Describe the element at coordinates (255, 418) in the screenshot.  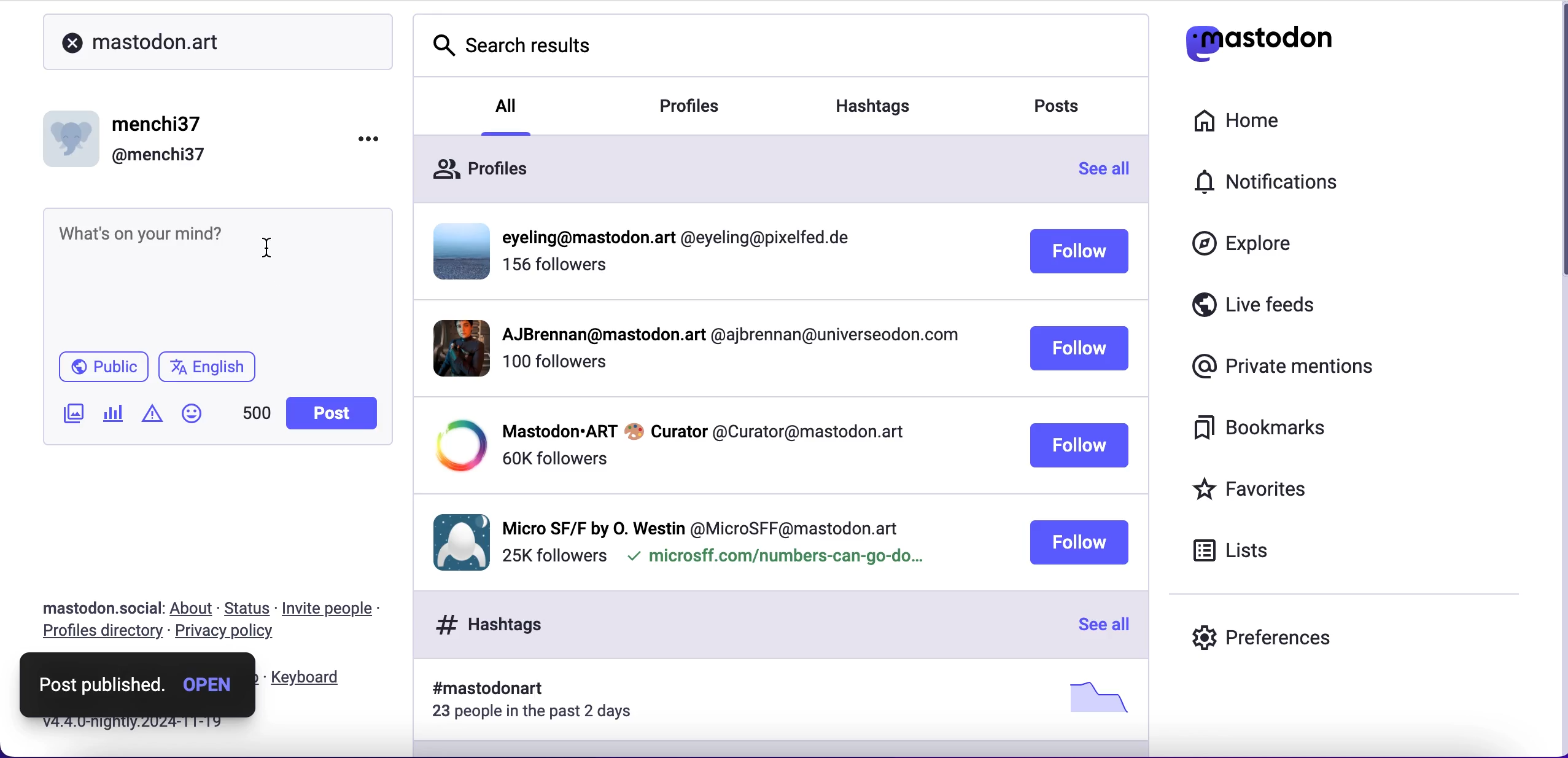
I see `characters left` at that location.